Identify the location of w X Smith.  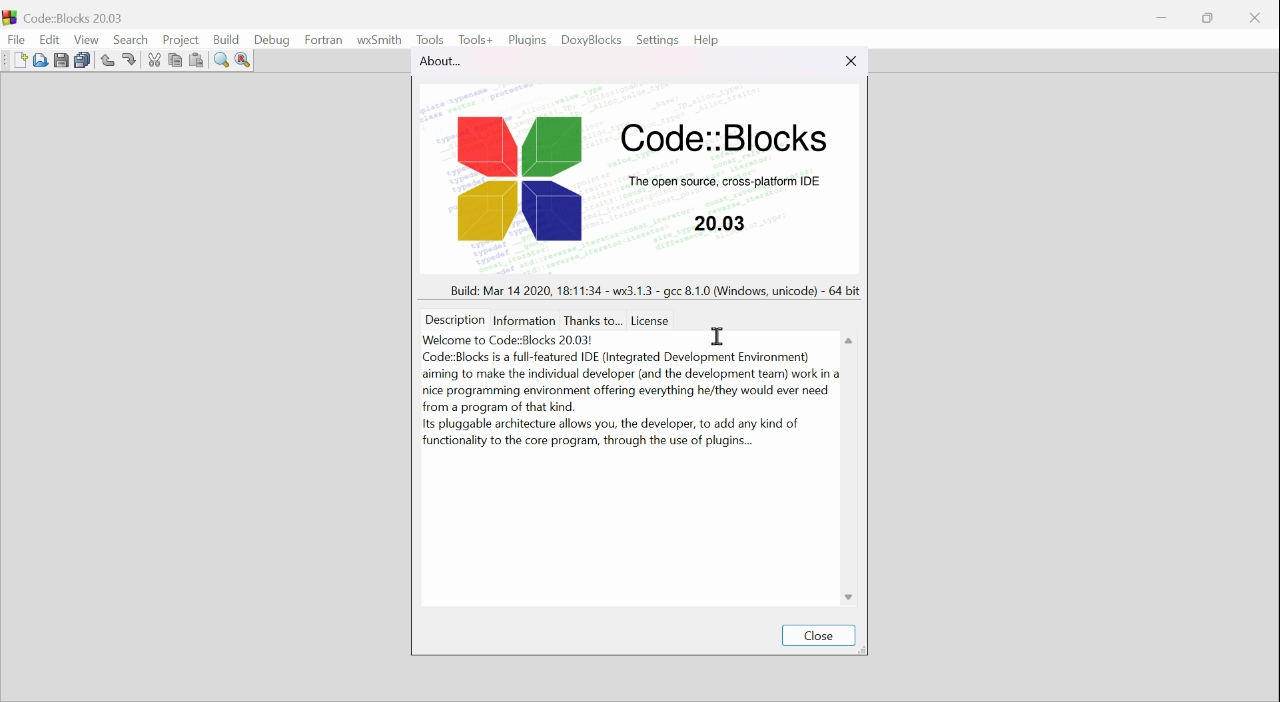
(382, 39).